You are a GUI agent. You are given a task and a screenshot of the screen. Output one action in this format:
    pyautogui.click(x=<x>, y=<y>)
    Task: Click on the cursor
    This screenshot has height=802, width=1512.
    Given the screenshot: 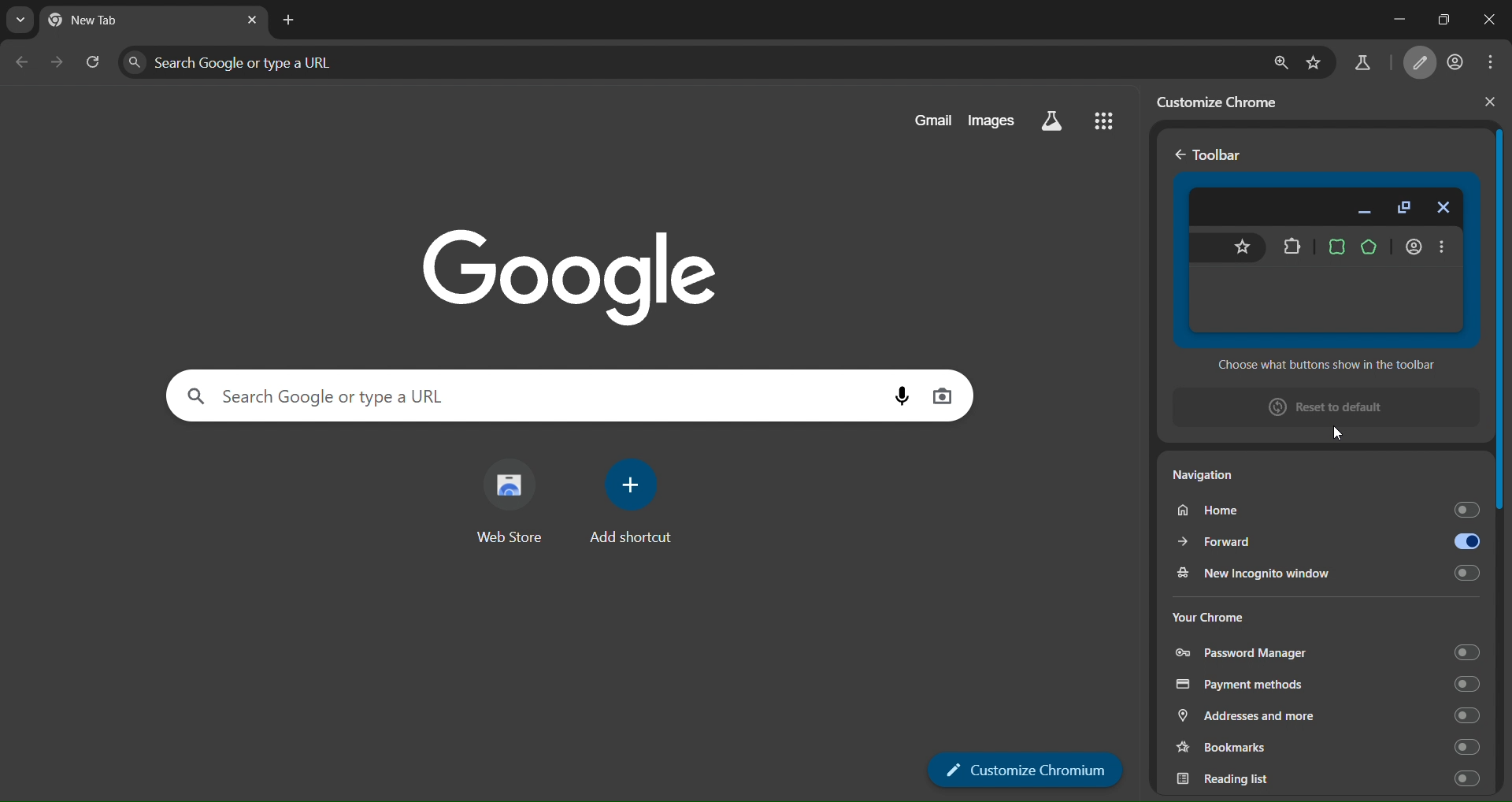 What is the action you would take?
    pyautogui.click(x=1336, y=432)
    